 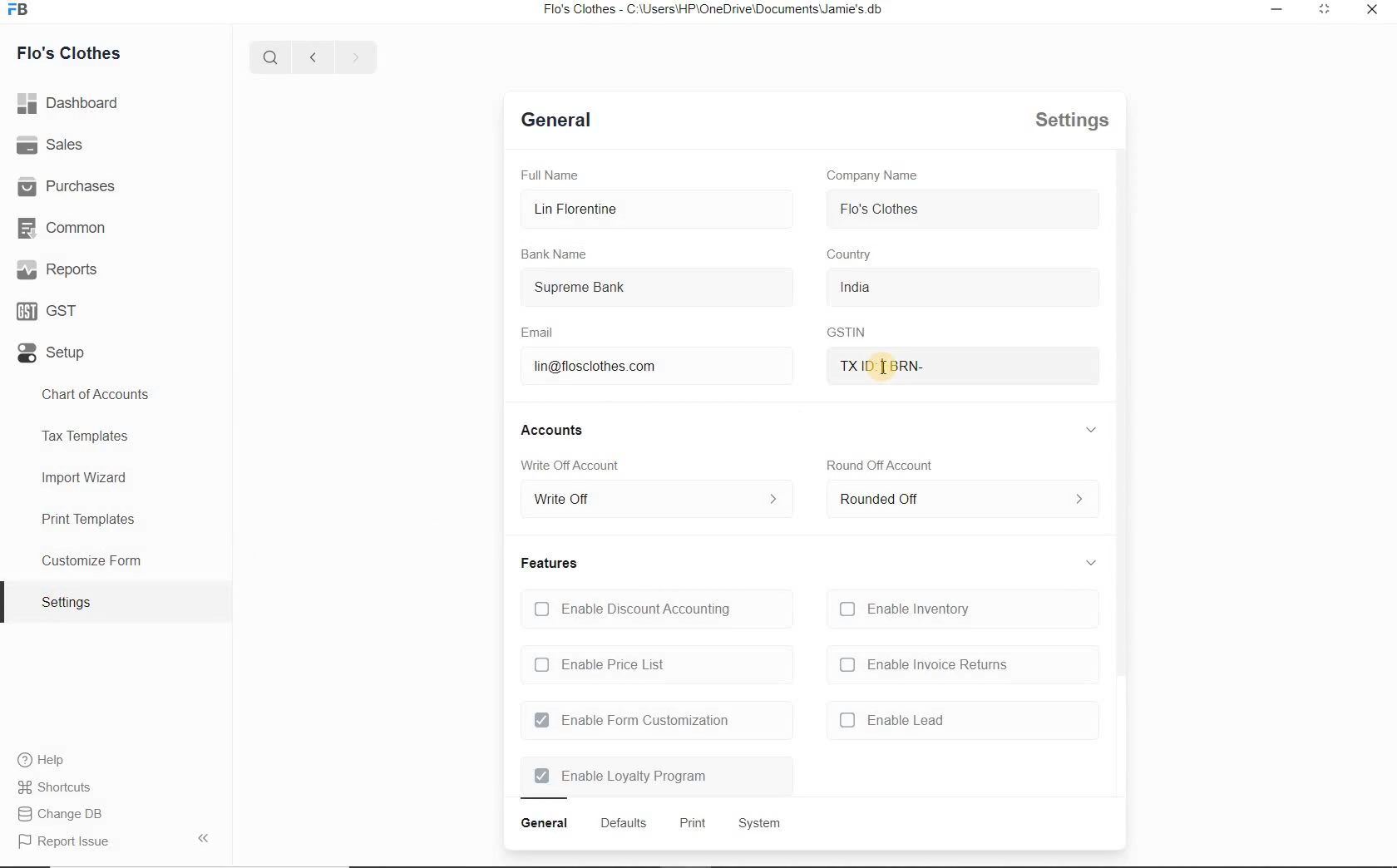 What do you see at coordinates (841, 333) in the screenshot?
I see `GSTIN` at bounding box center [841, 333].